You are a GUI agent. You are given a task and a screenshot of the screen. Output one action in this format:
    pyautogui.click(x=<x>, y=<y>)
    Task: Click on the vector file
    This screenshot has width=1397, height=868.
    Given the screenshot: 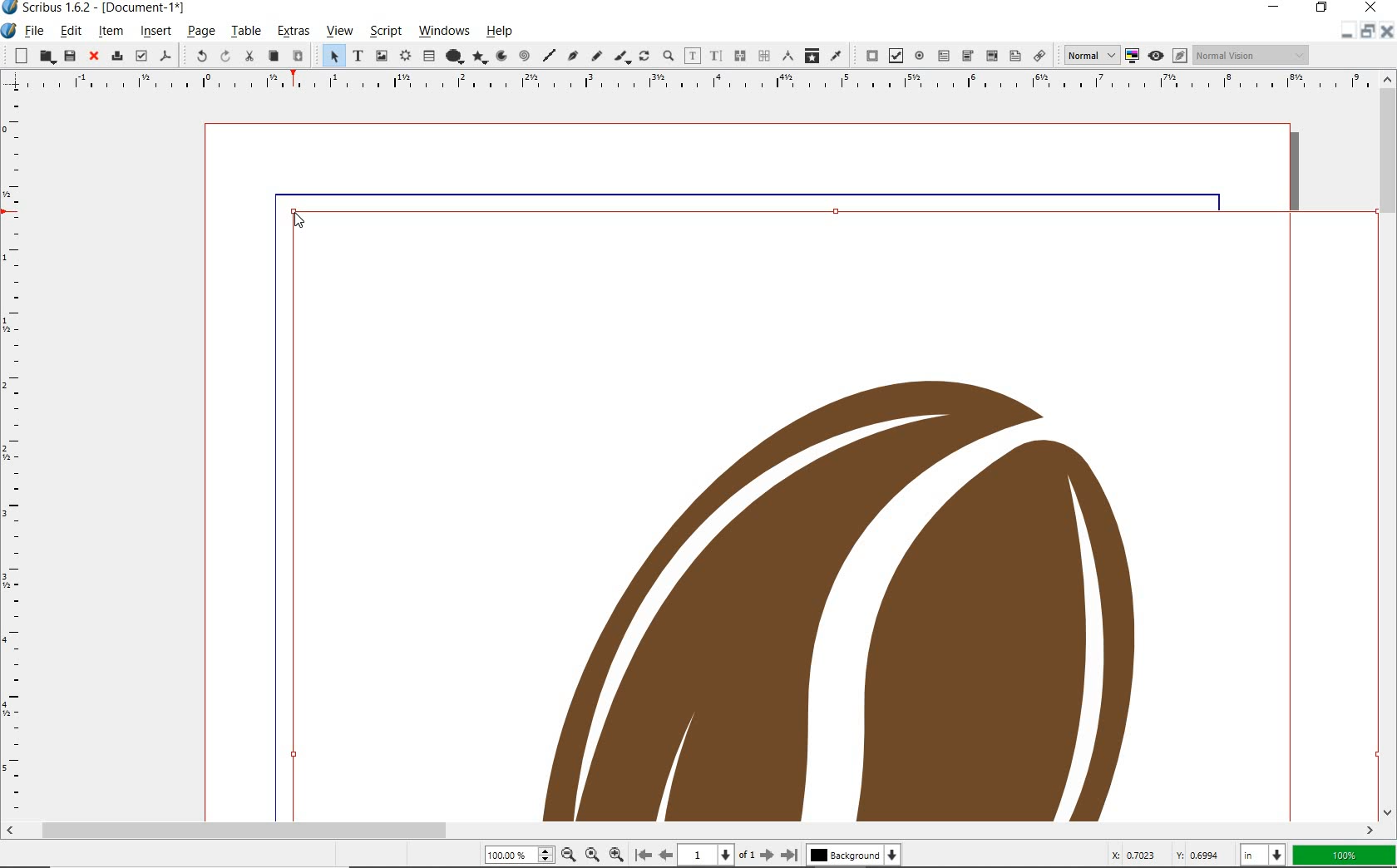 What is the action you would take?
    pyautogui.click(x=822, y=513)
    